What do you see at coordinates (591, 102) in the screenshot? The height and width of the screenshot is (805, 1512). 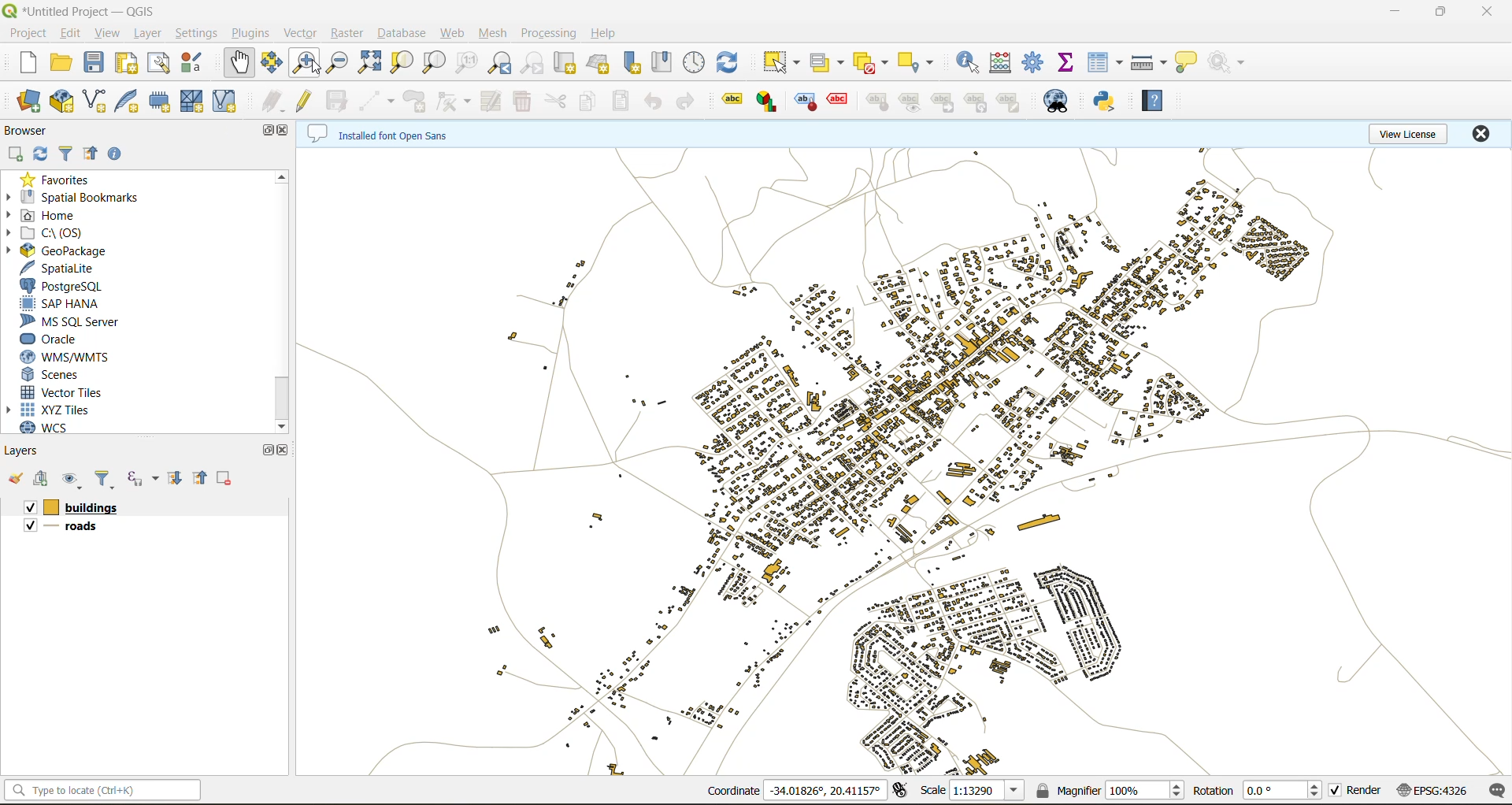 I see `copy` at bounding box center [591, 102].